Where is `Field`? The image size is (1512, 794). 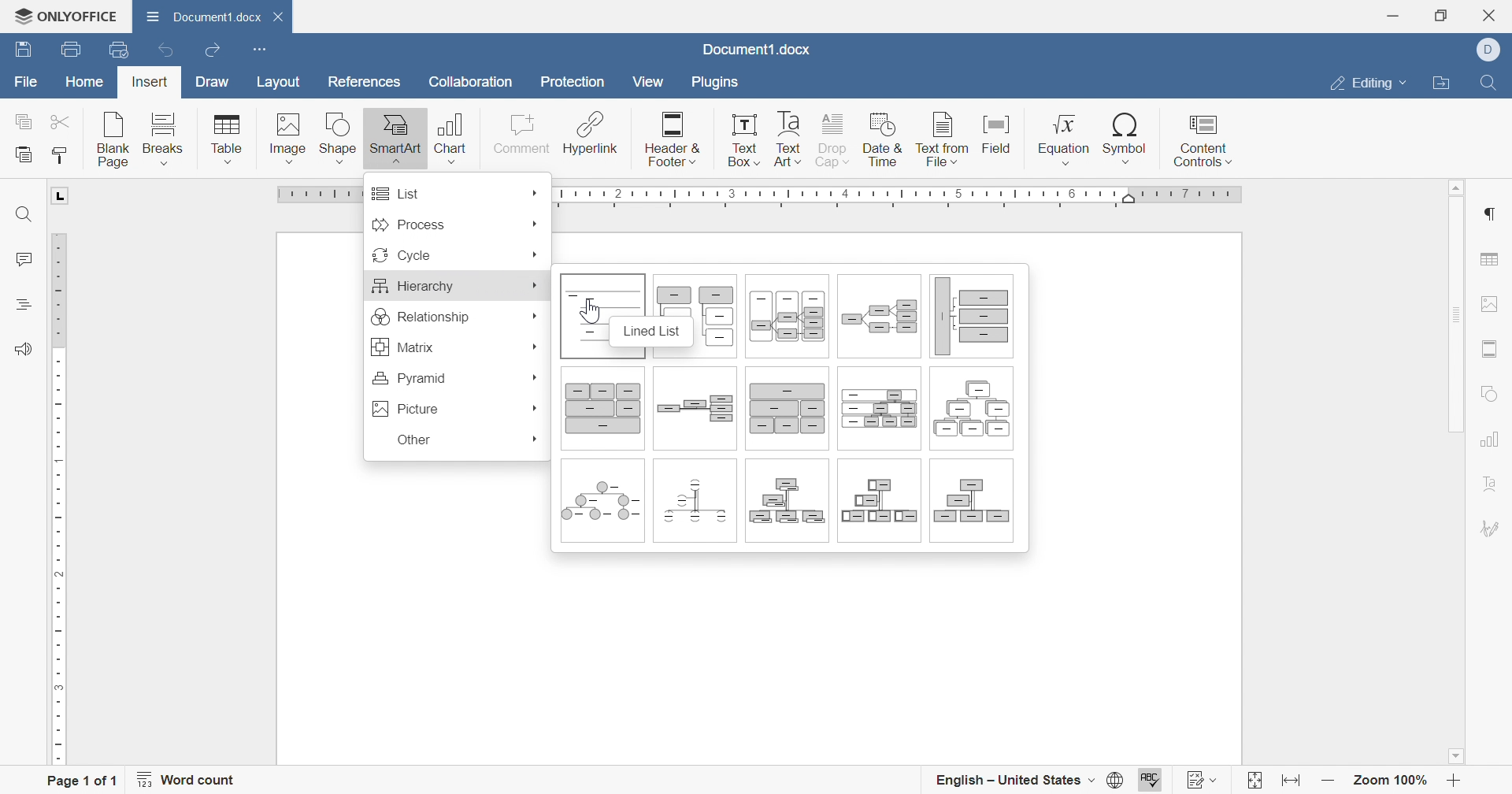 Field is located at coordinates (998, 139).